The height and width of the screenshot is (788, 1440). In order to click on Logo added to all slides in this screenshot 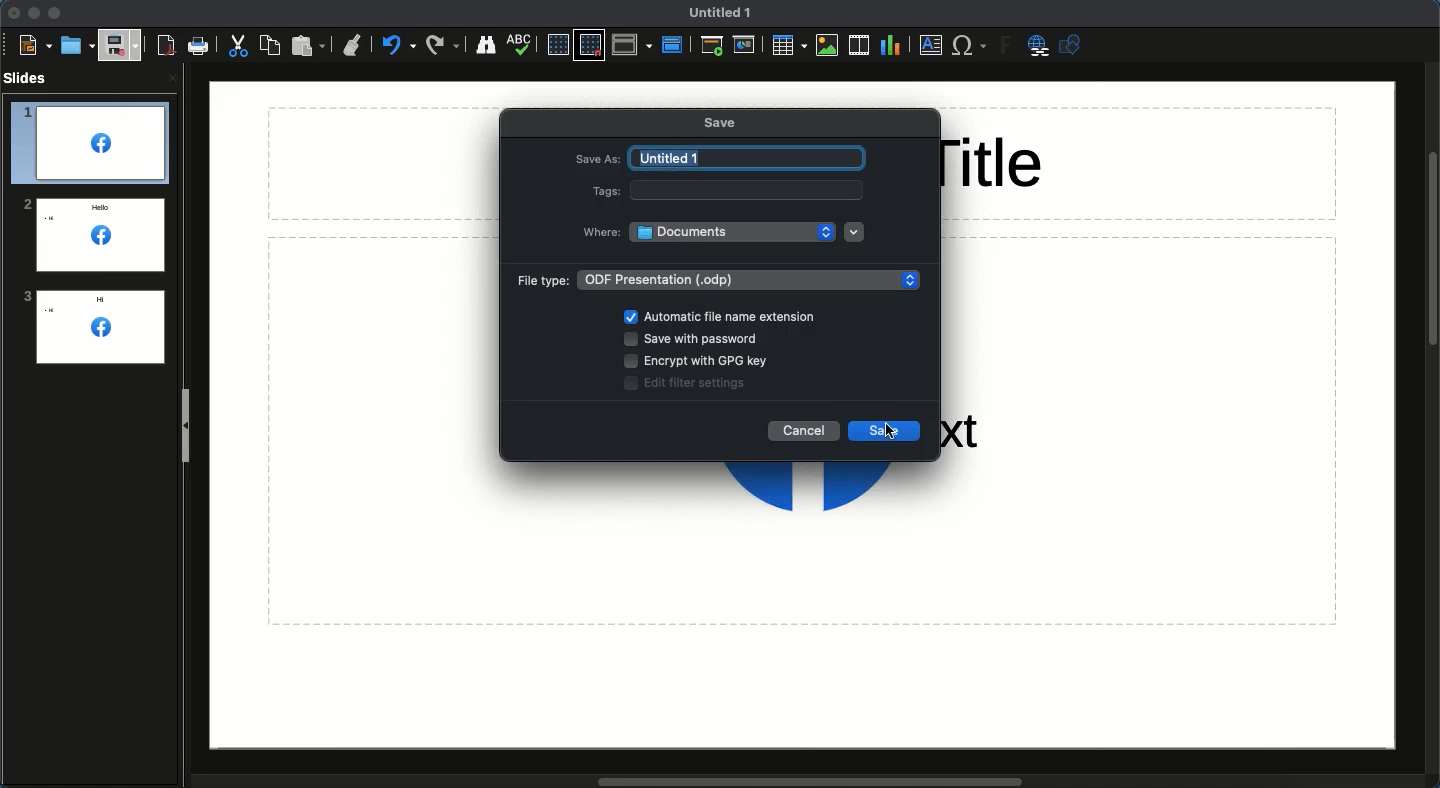, I will do `click(91, 233)`.